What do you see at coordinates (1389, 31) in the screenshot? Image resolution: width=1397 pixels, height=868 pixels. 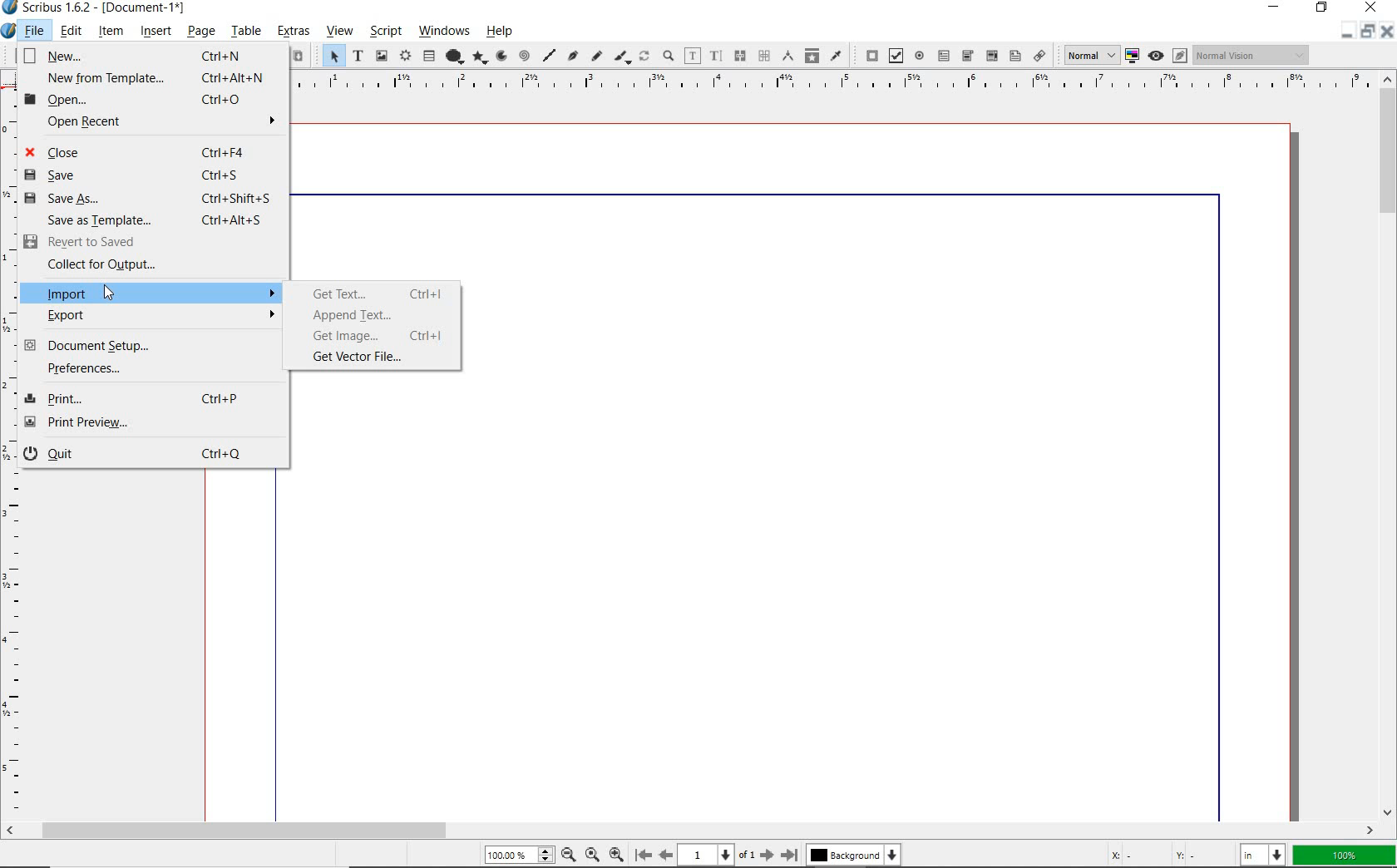 I see `Close` at bounding box center [1389, 31].